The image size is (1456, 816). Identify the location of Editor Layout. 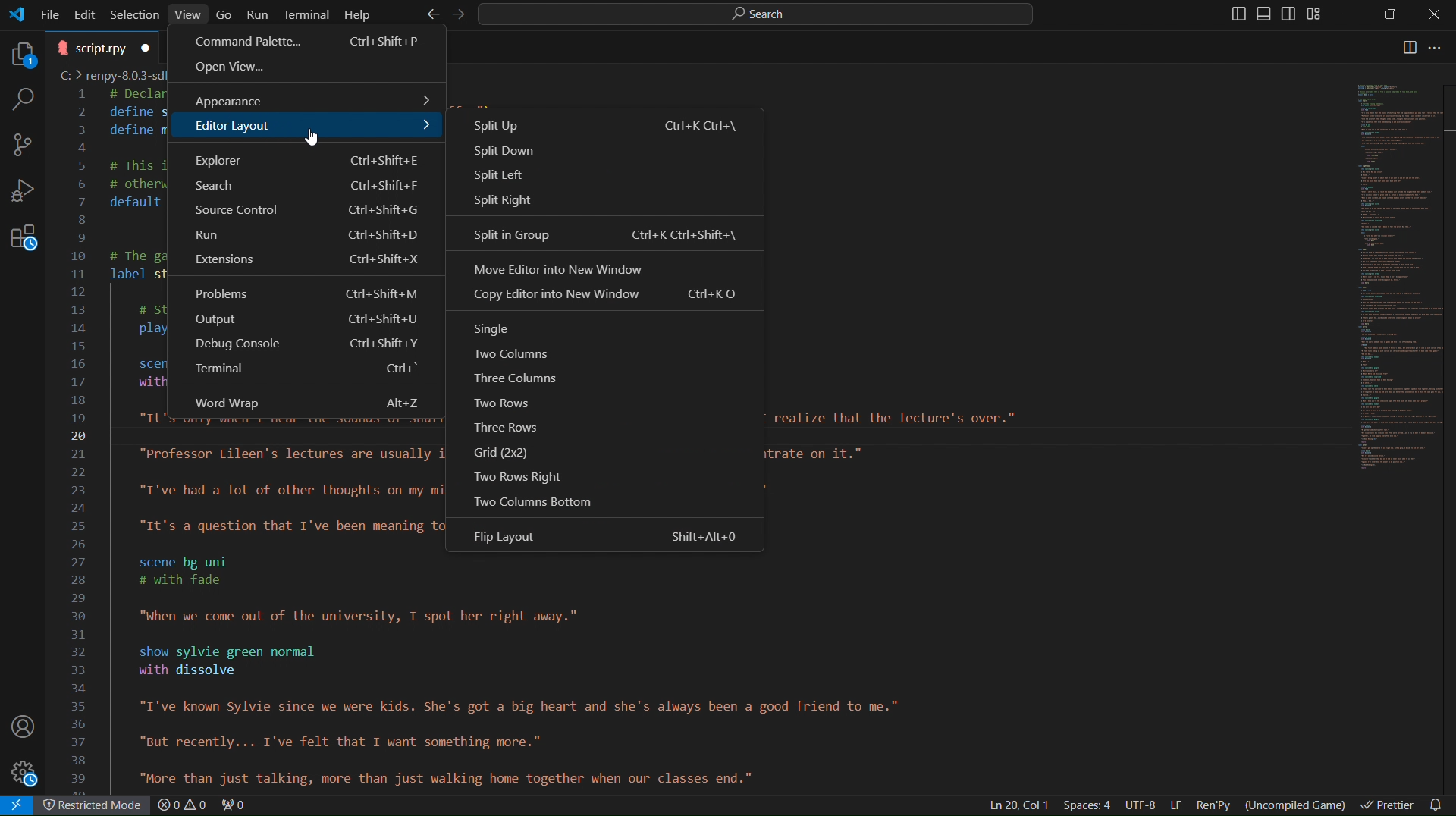
(303, 129).